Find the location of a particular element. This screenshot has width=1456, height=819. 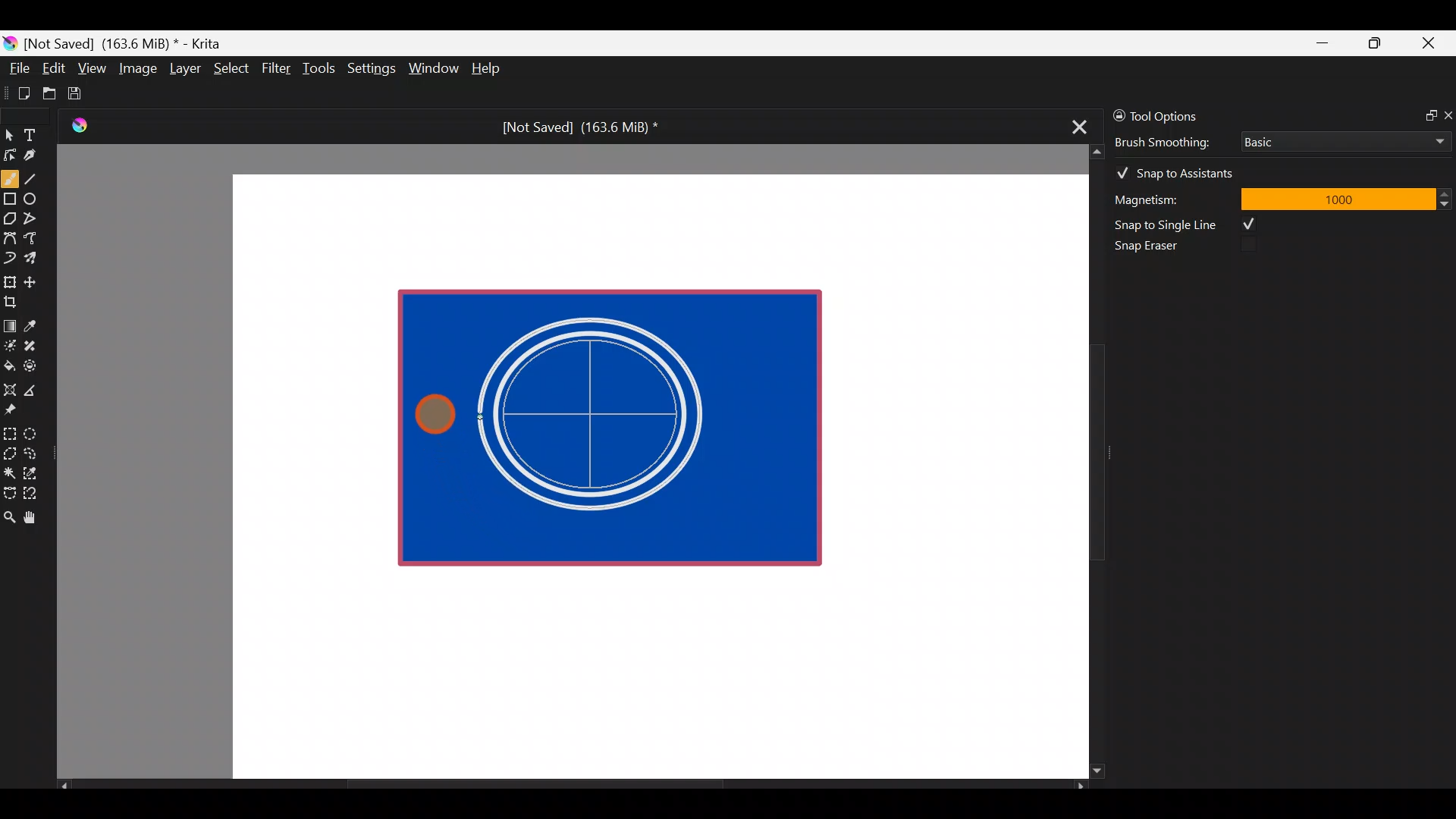

Contiguous selection tool is located at coordinates (9, 469).